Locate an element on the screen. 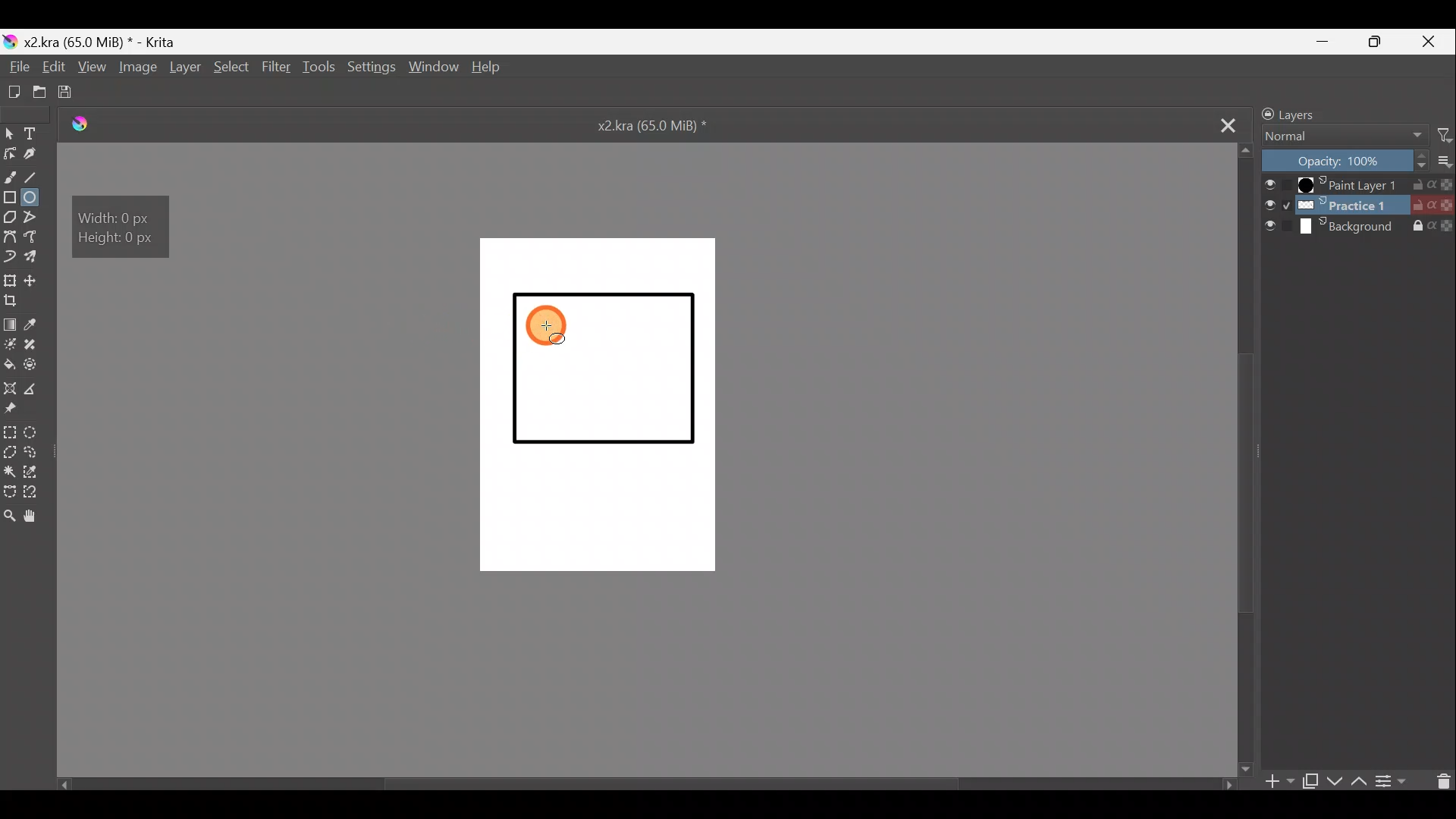 The width and height of the screenshot is (1456, 819). Cursor is located at coordinates (550, 326).